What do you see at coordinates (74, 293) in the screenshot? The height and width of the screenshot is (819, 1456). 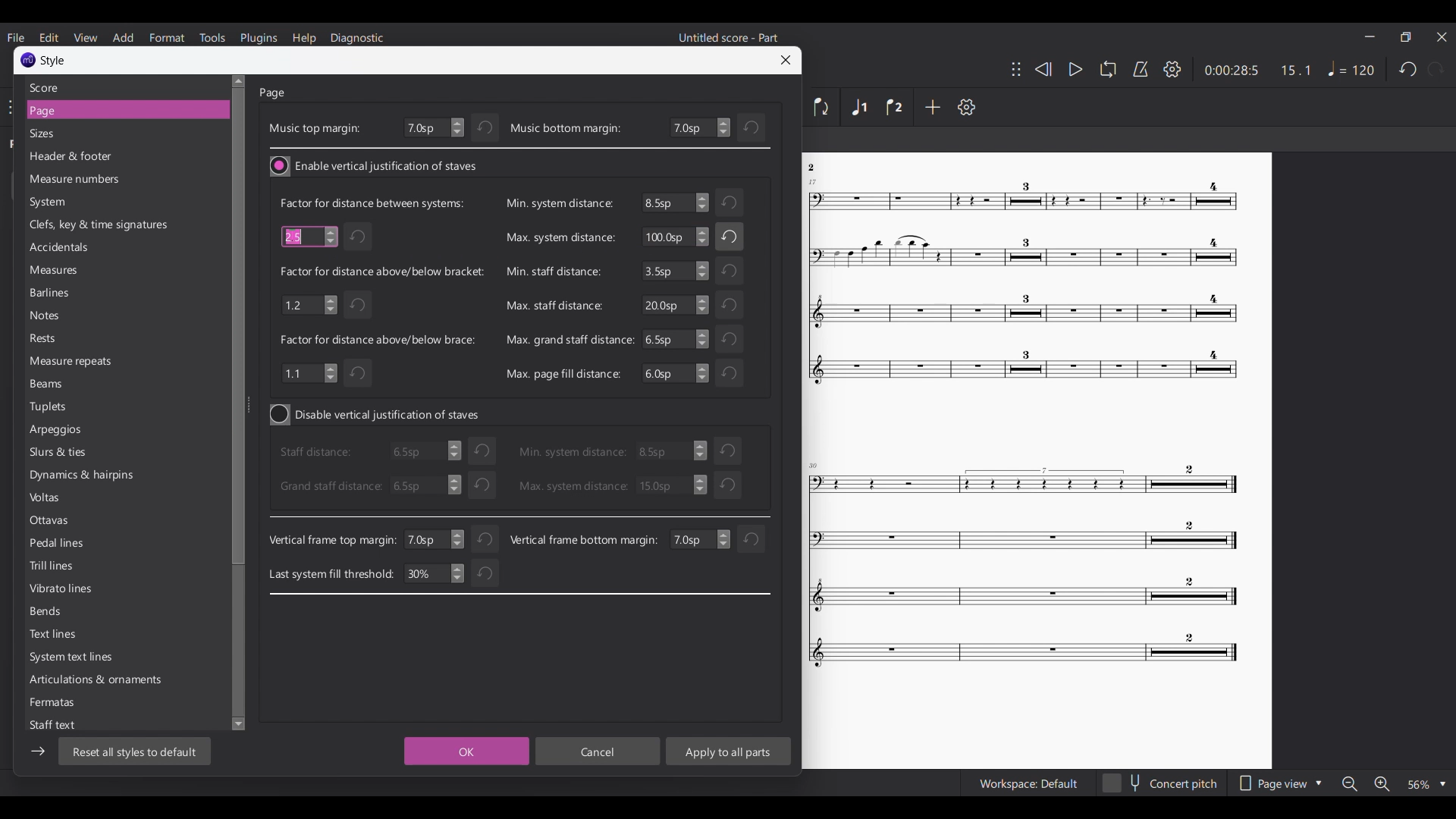 I see `Barlines` at bounding box center [74, 293].